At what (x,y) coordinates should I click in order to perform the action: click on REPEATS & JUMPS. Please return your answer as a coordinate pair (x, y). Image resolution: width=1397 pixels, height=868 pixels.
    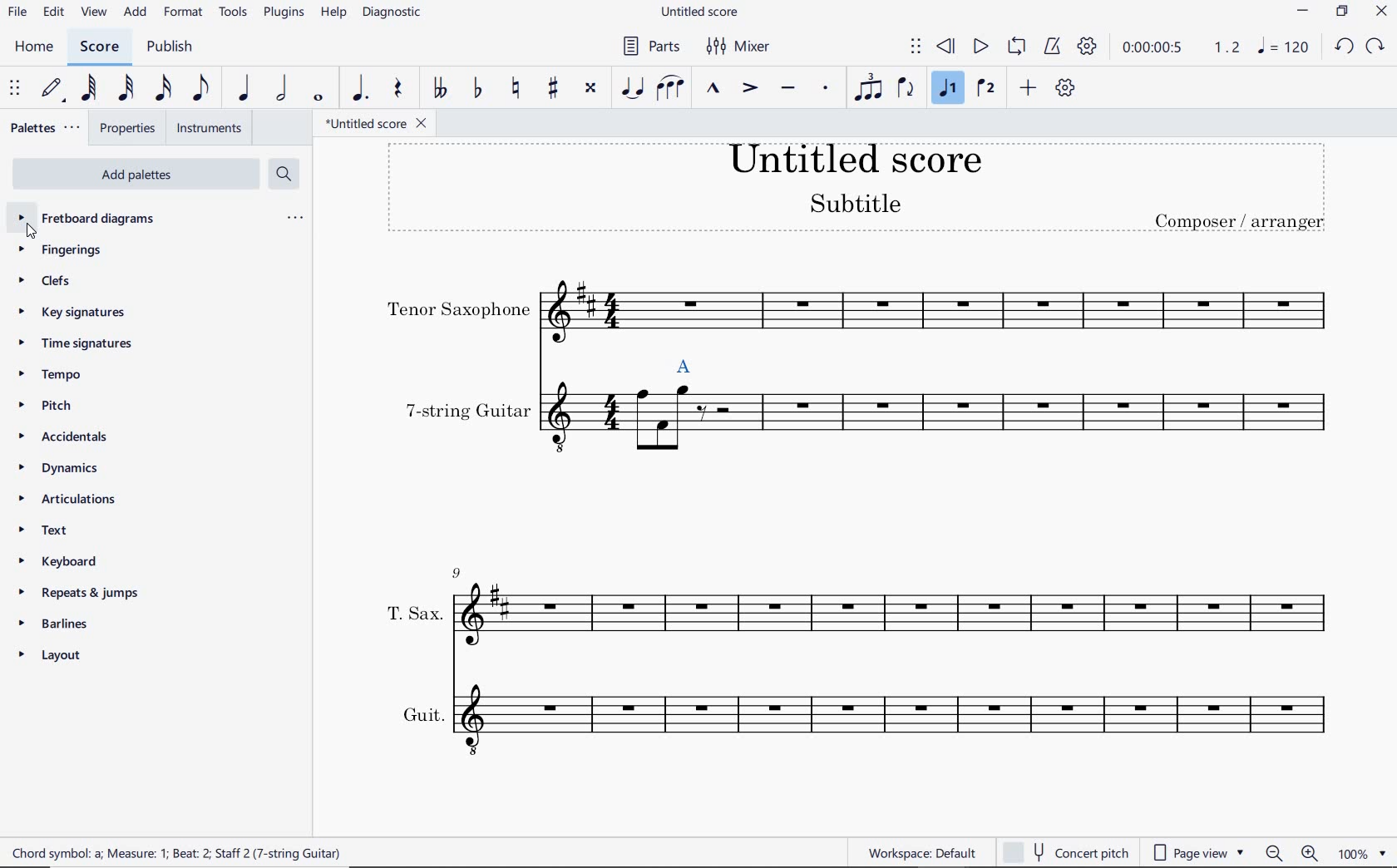
    Looking at the image, I should click on (80, 592).